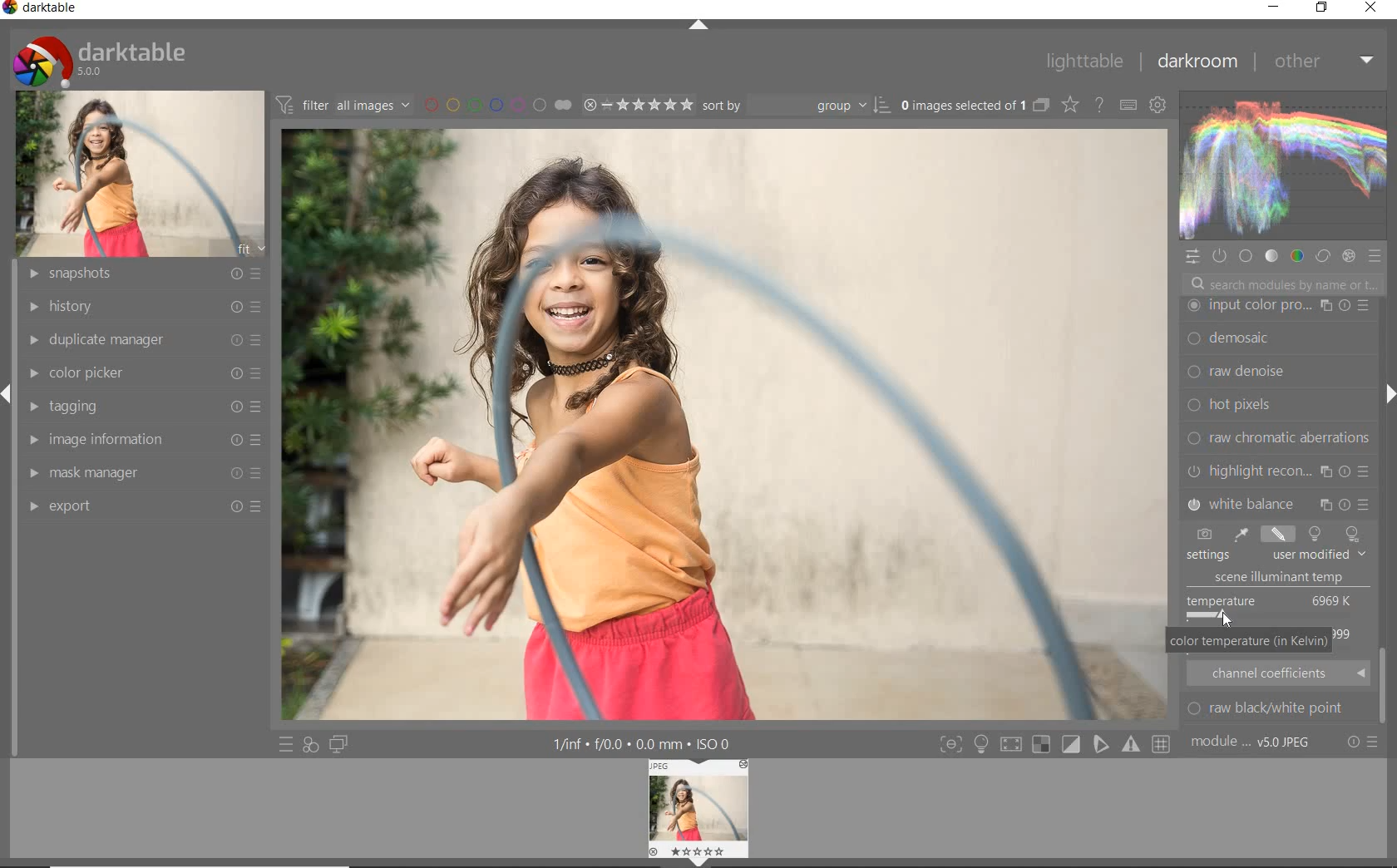  I want to click on output color preset, so click(1276, 405).